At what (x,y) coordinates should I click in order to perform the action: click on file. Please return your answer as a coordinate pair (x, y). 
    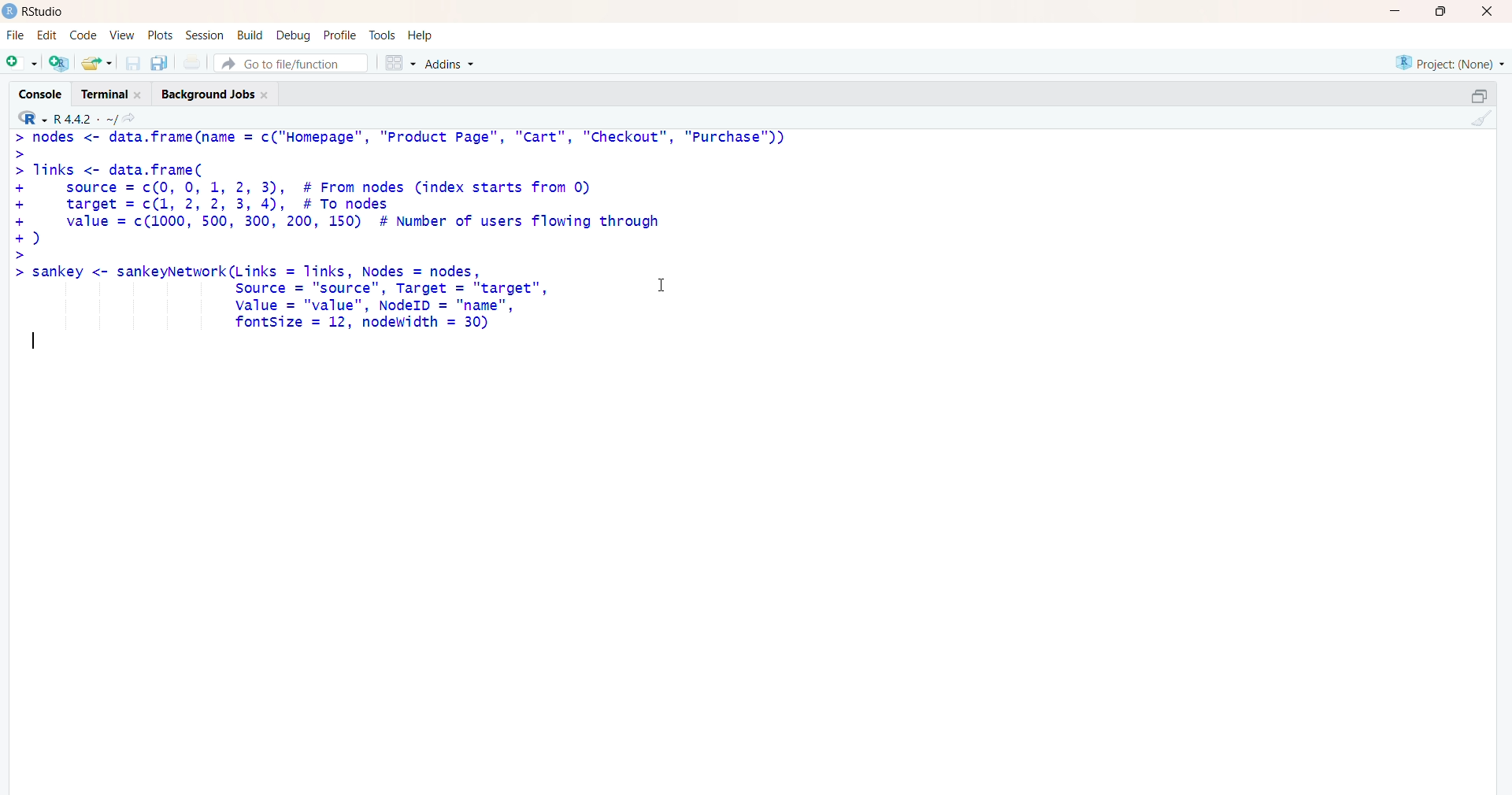
    Looking at the image, I should click on (194, 62).